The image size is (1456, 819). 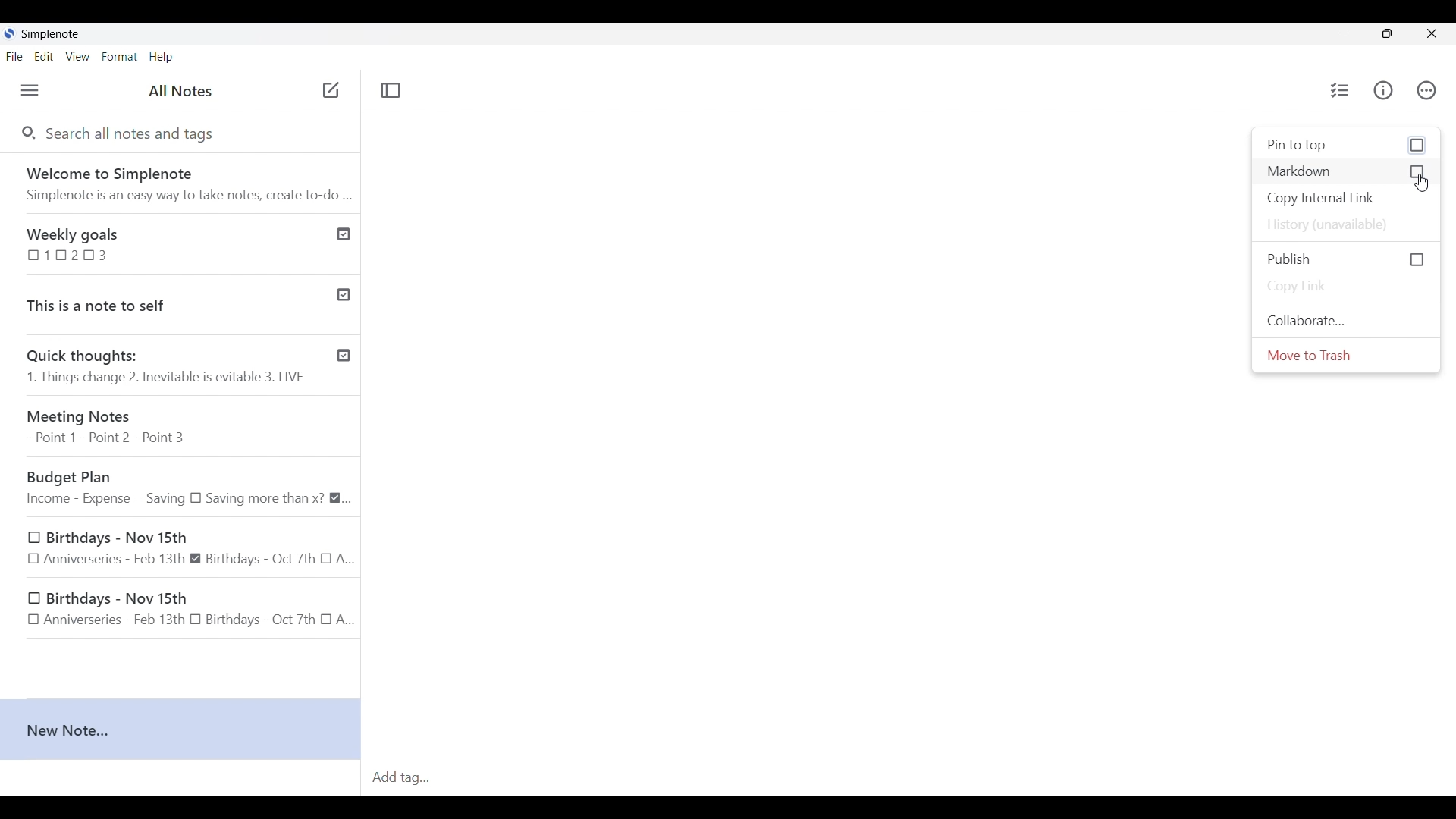 What do you see at coordinates (50, 34) in the screenshot?
I see `Software name` at bounding box center [50, 34].